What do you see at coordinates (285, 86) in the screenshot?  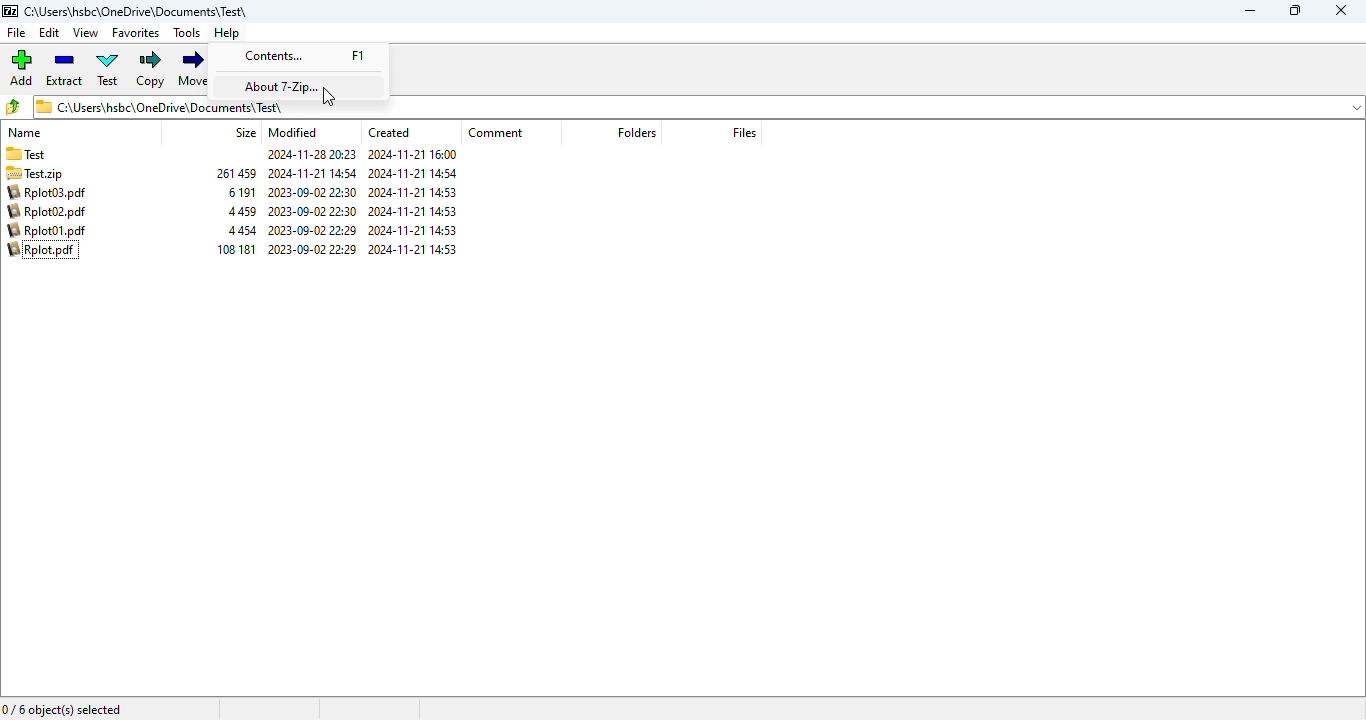 I see `about 7-Zip` at bounding box center [285, 86].